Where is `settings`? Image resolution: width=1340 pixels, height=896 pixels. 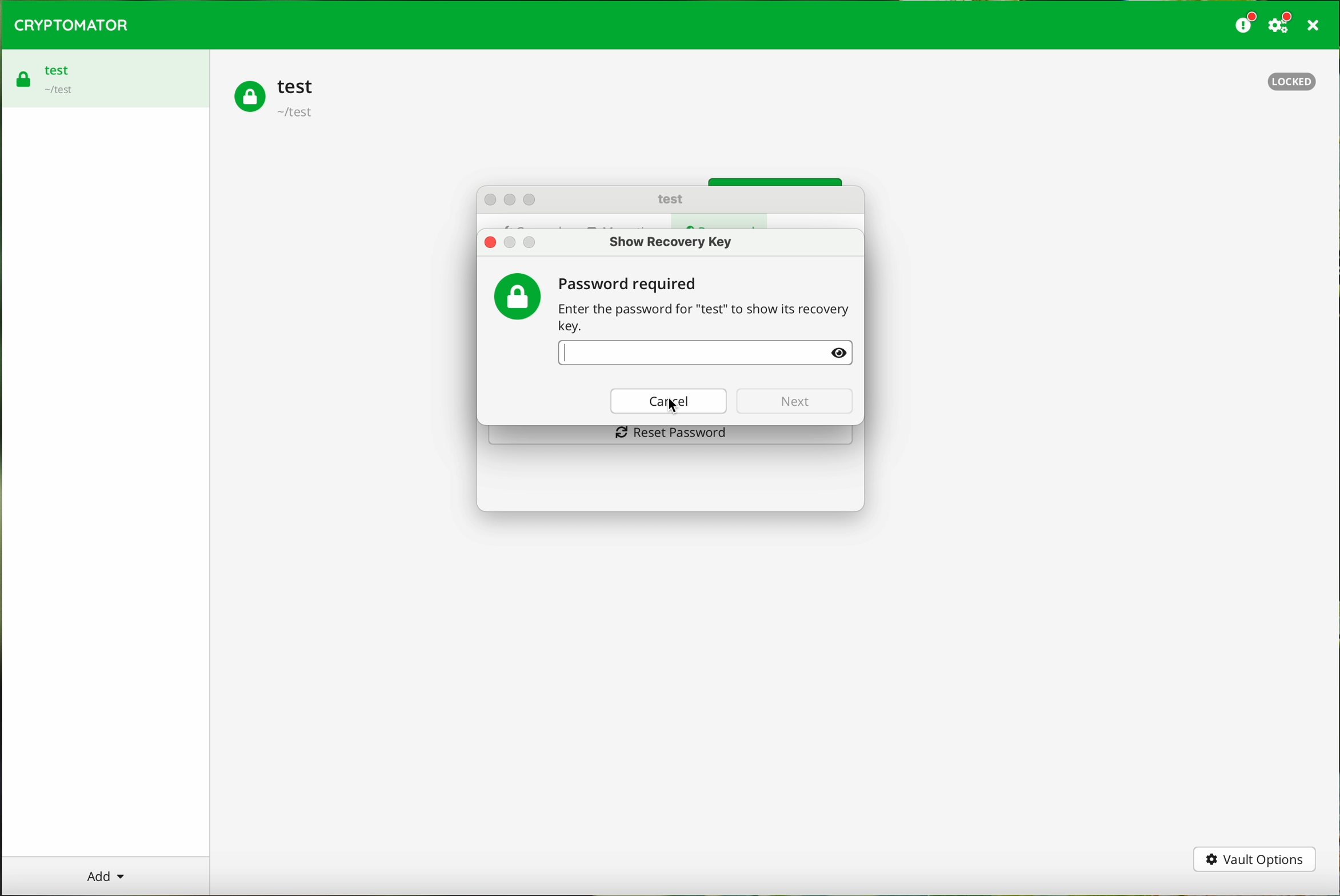 settings is located at coordinates (1282, 23).